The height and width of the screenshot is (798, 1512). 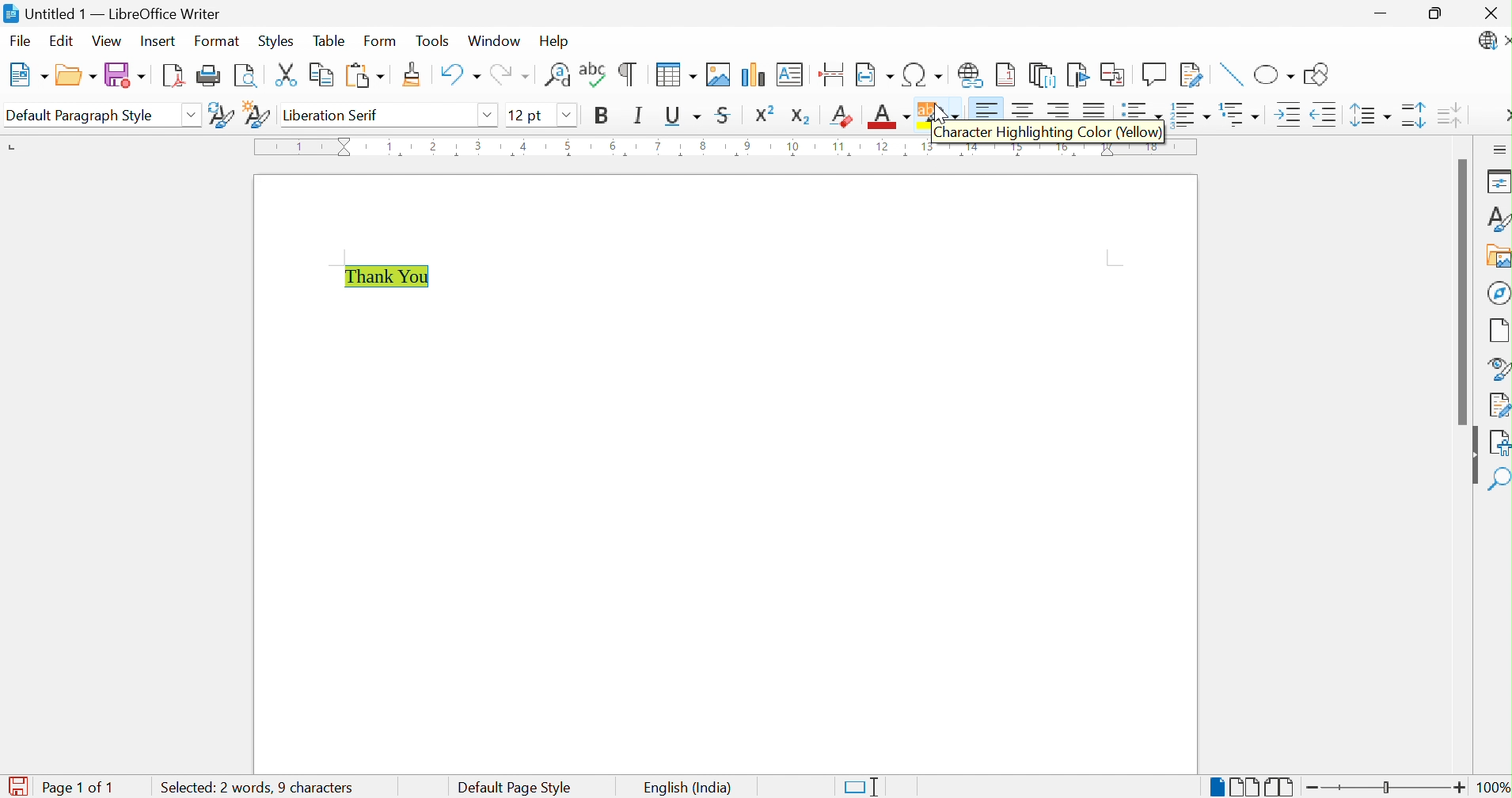 What do you see at coordinates (255, 787) in the screenshot?
I see `Selected: 2 words, 9 characters` at bounding box center [255, 787].